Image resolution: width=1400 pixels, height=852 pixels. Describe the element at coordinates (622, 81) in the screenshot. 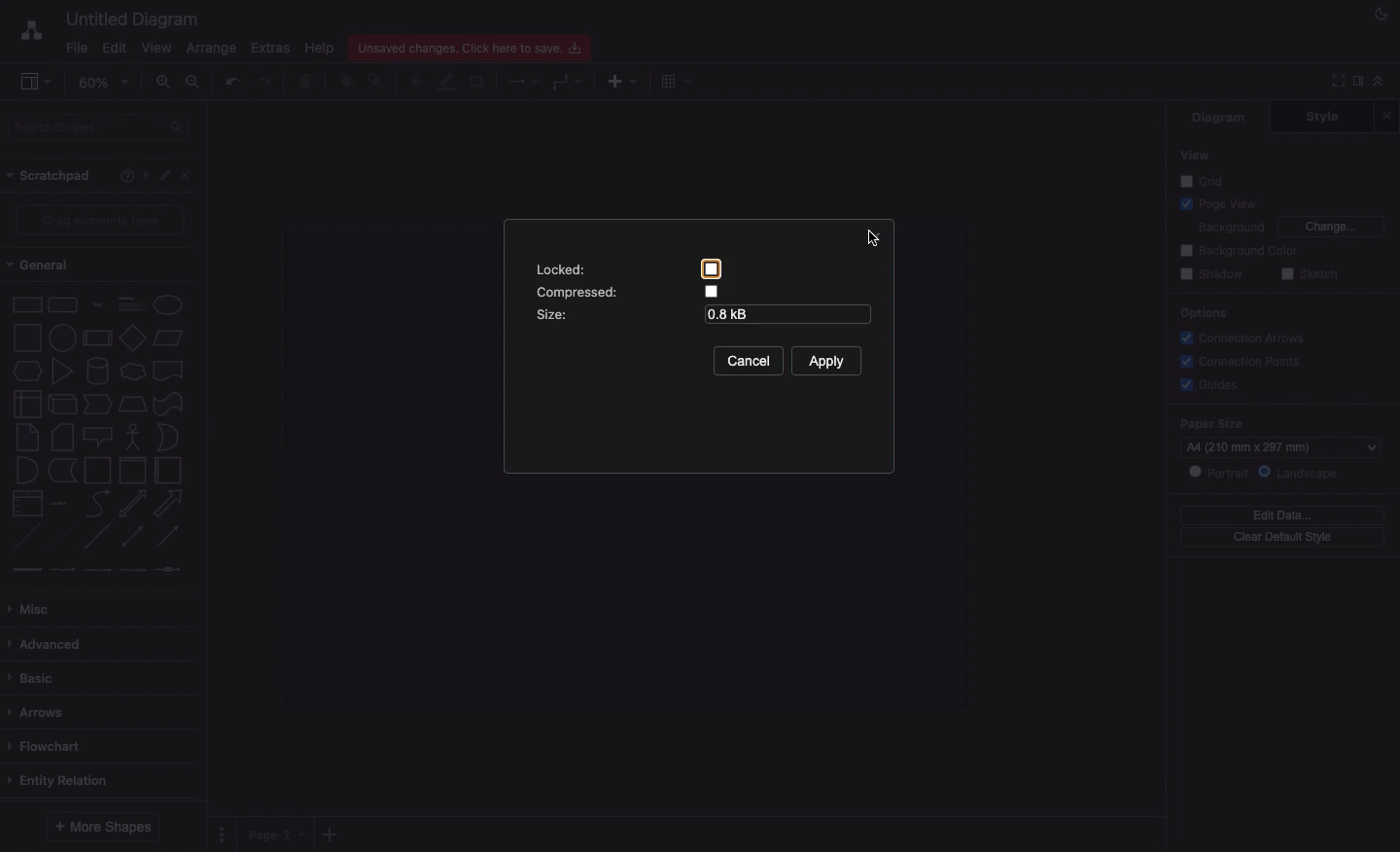

I see `Add` at that location.